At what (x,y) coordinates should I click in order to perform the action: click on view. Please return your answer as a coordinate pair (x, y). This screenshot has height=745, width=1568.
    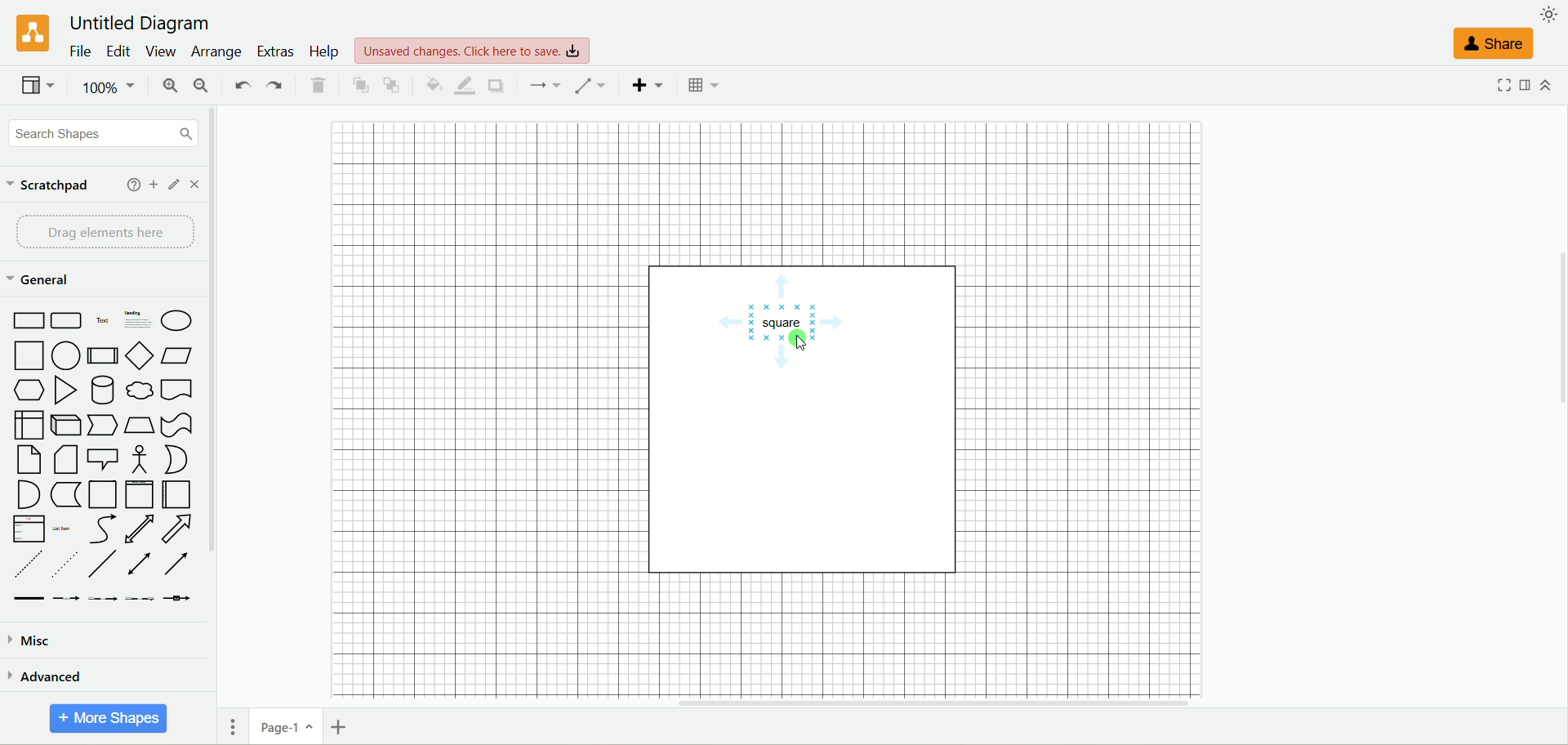
    Looking at the image, I should click on (38, 87).